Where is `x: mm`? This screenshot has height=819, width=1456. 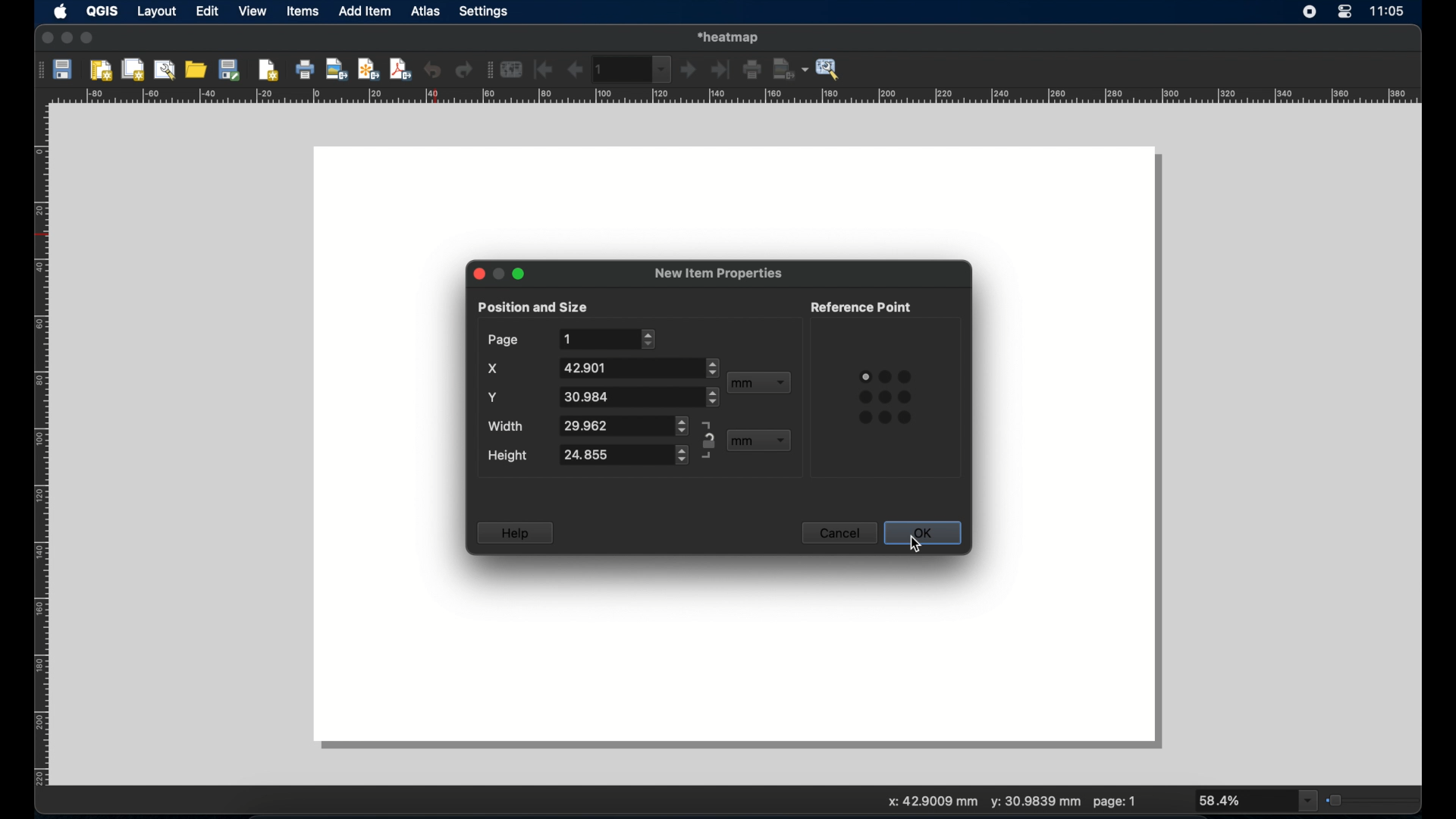
x: mm is located at coordinates (928, 803).